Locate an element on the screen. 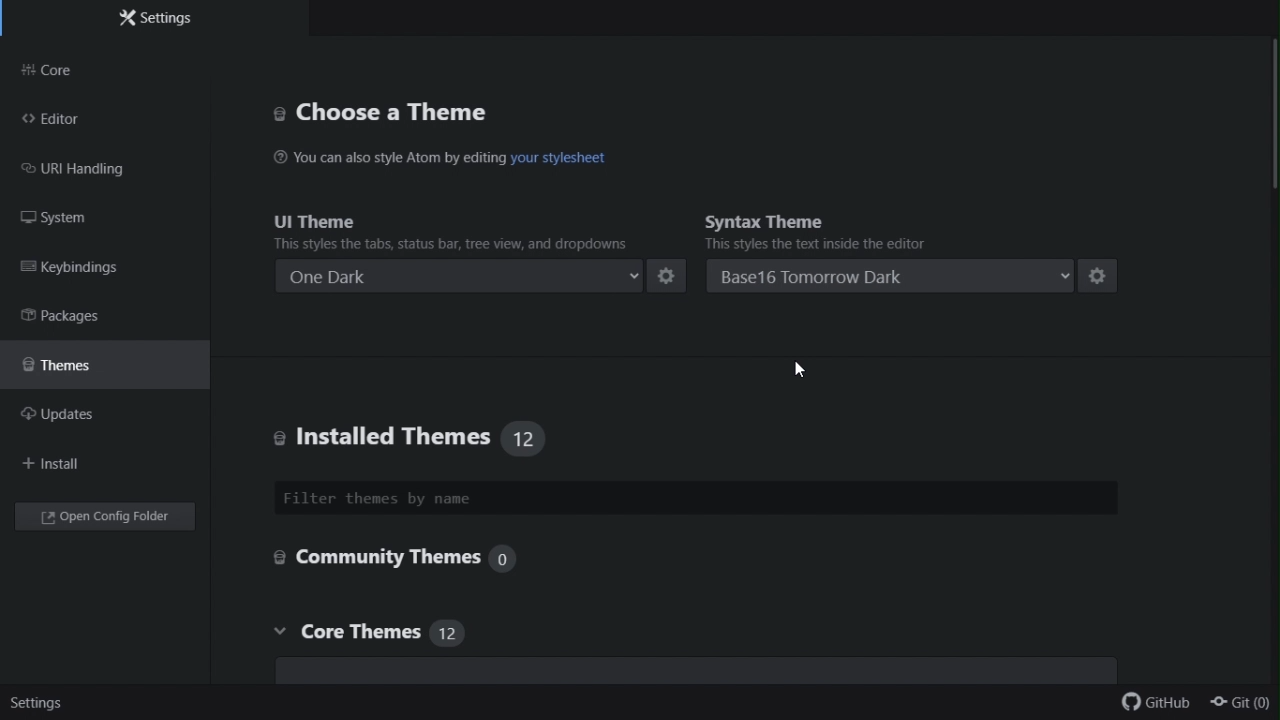 The height and width of the screenshot is (720, 1280). One dark is located at coordinates (461, 274).